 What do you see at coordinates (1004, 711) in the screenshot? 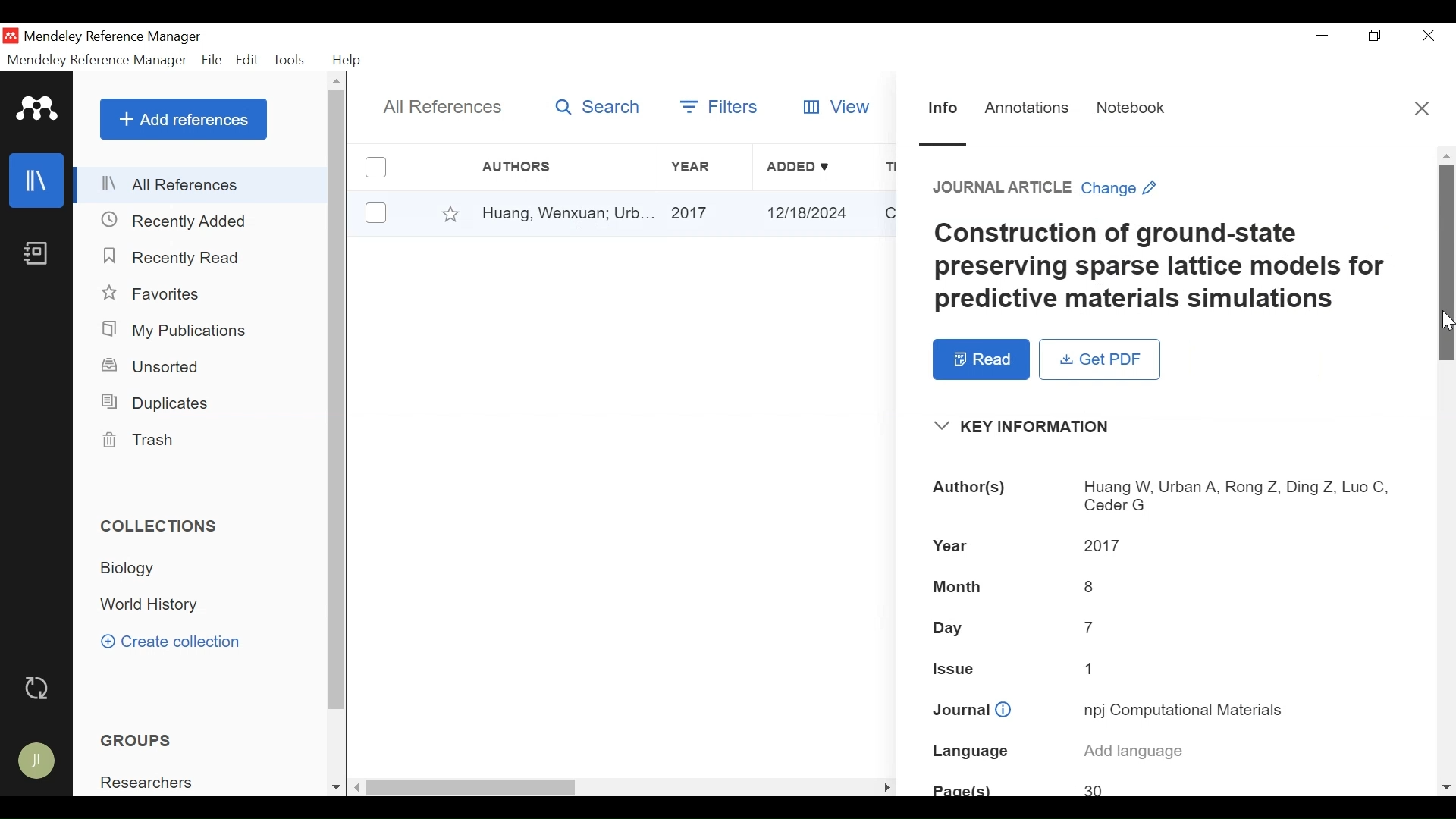
I see `info icon` at bounding box center [1004, 711].